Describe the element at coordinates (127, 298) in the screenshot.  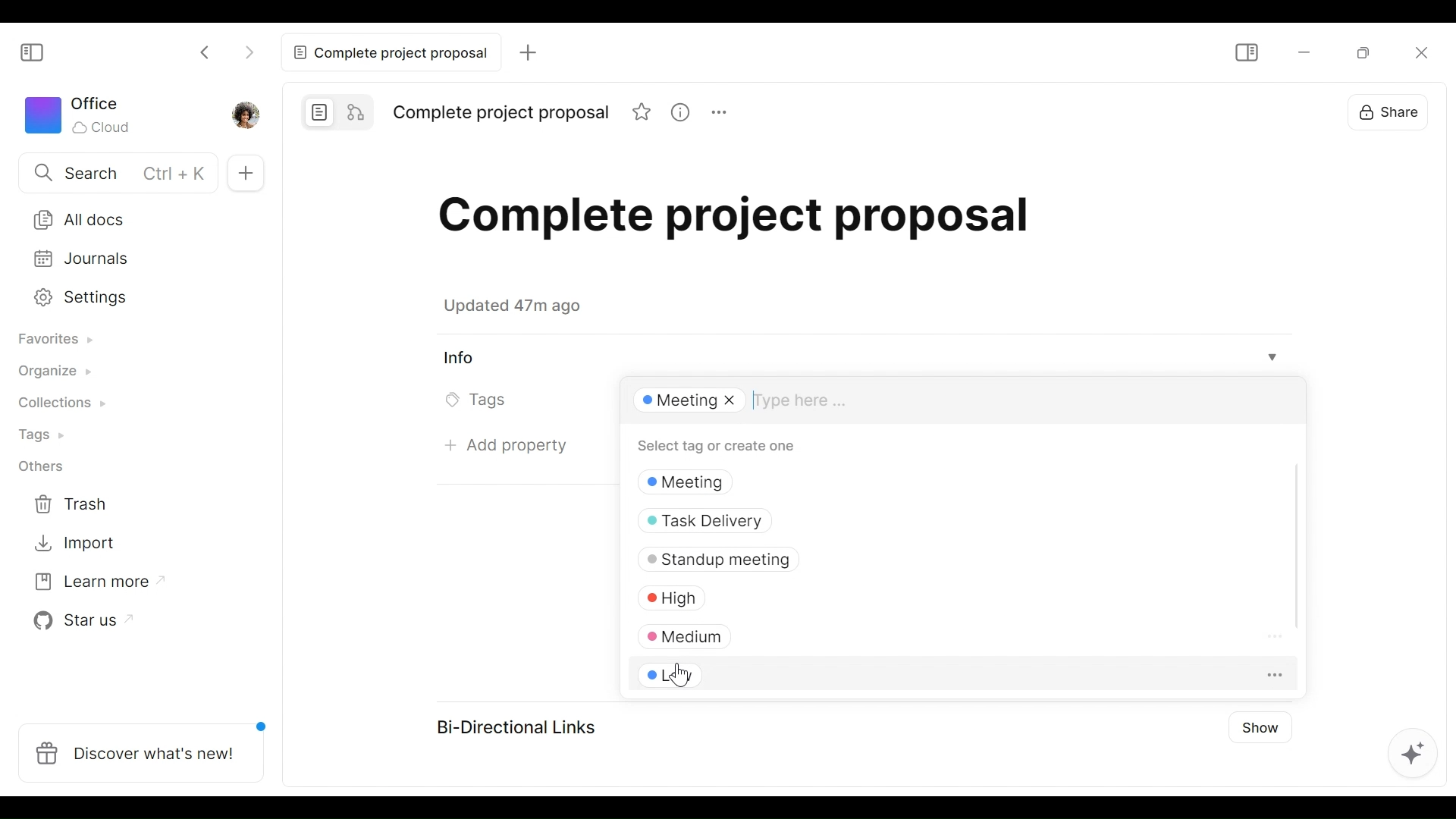
I see `Settings` at that location.